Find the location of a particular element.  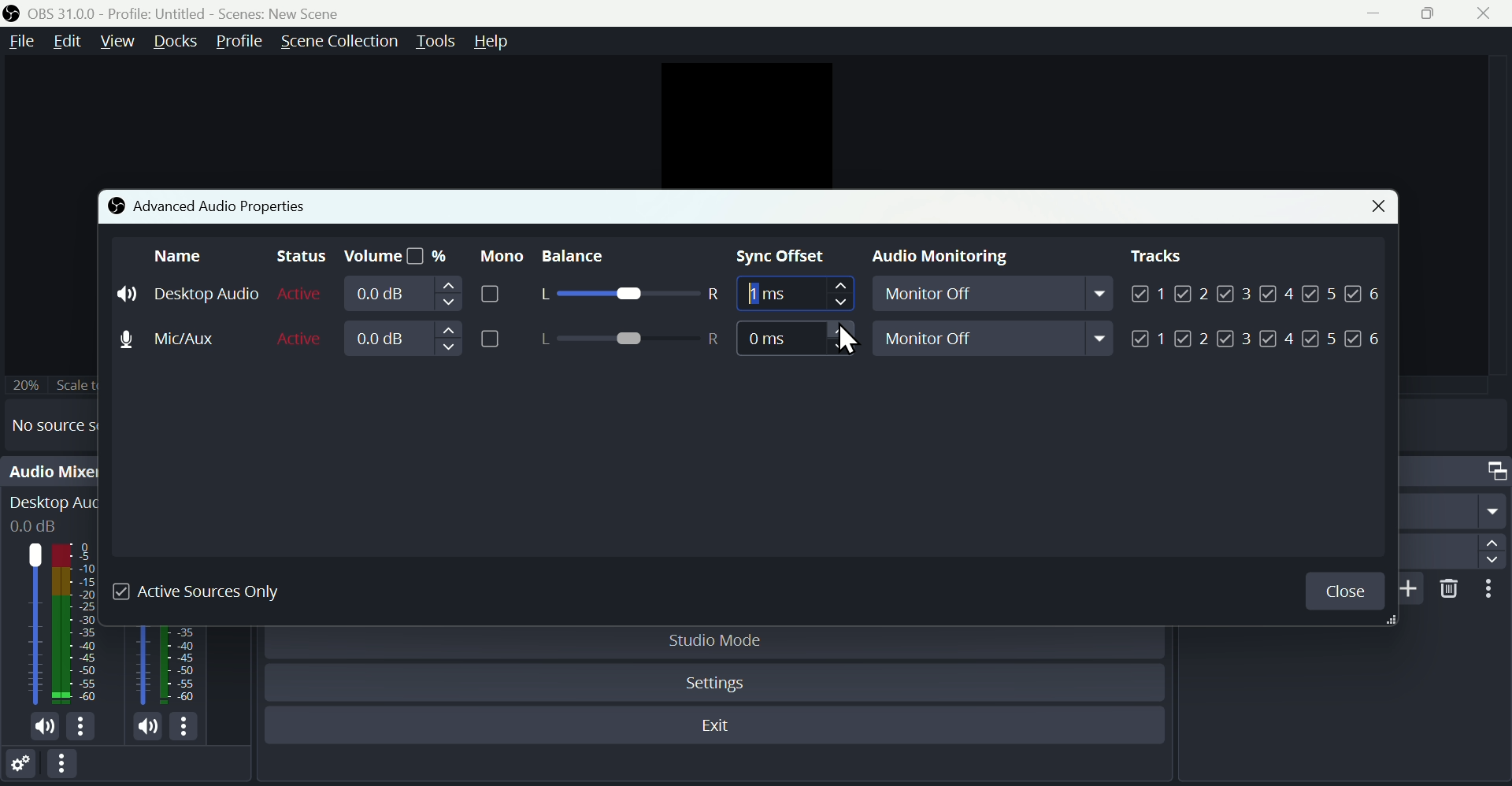

Balance slider is located at coordinates (627, 295).